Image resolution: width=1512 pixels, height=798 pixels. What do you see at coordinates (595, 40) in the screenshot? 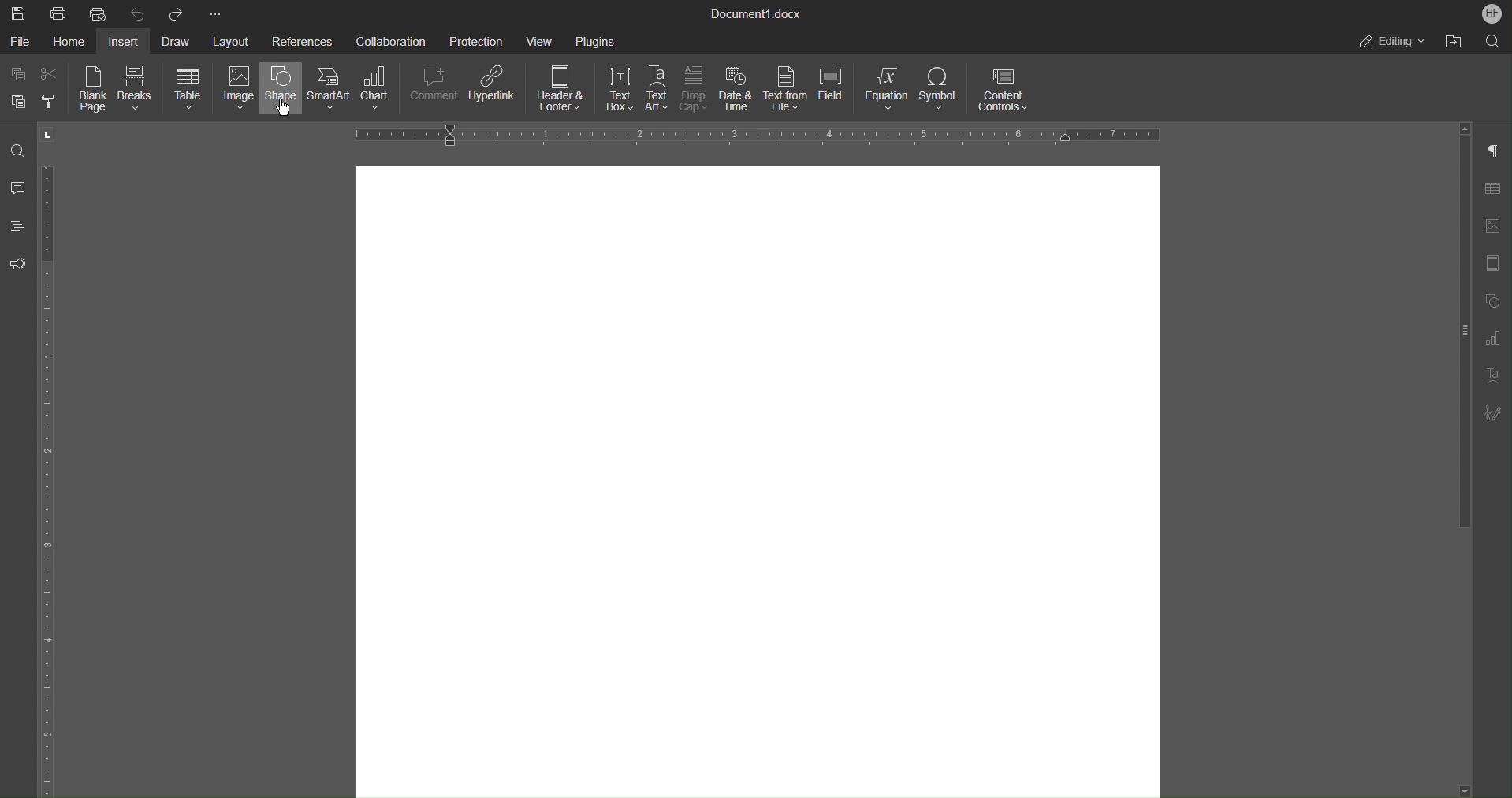
I see `Plugins` at bounding box center [595, 40].